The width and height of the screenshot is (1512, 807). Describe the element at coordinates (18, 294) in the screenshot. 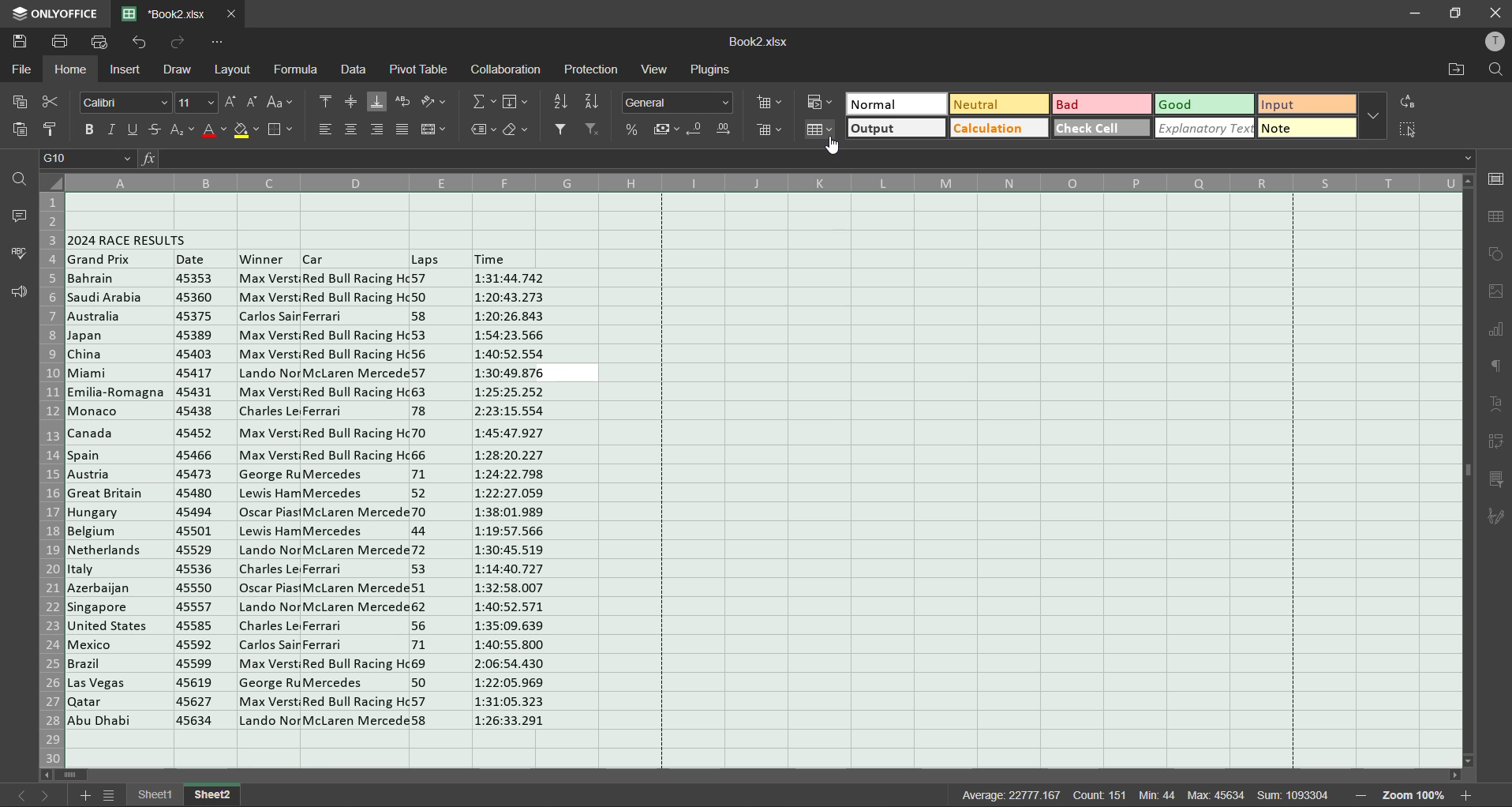

I see `feedback` at that location.